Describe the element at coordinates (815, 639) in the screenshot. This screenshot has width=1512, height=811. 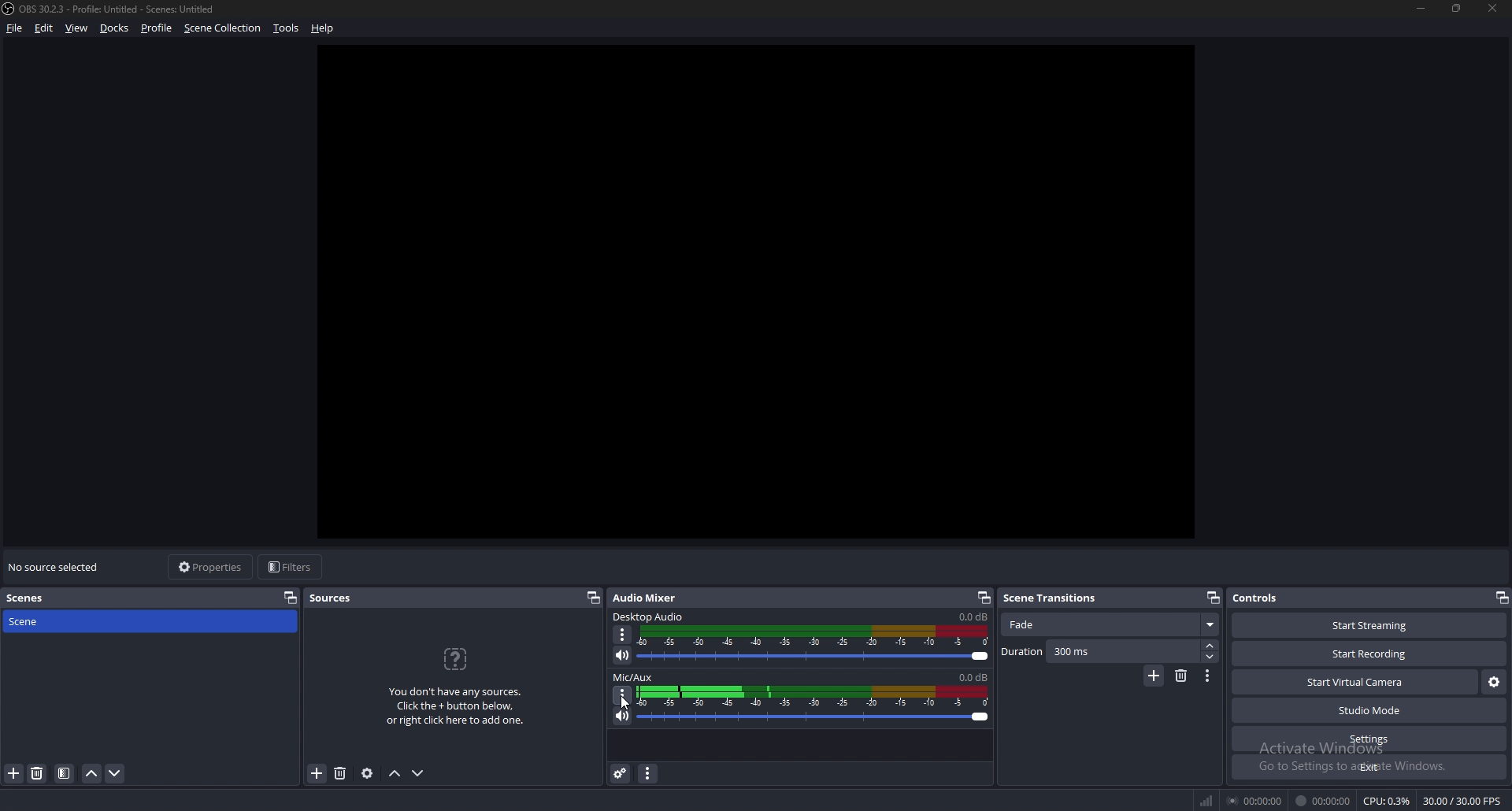
I see `desktop audio` at that location.